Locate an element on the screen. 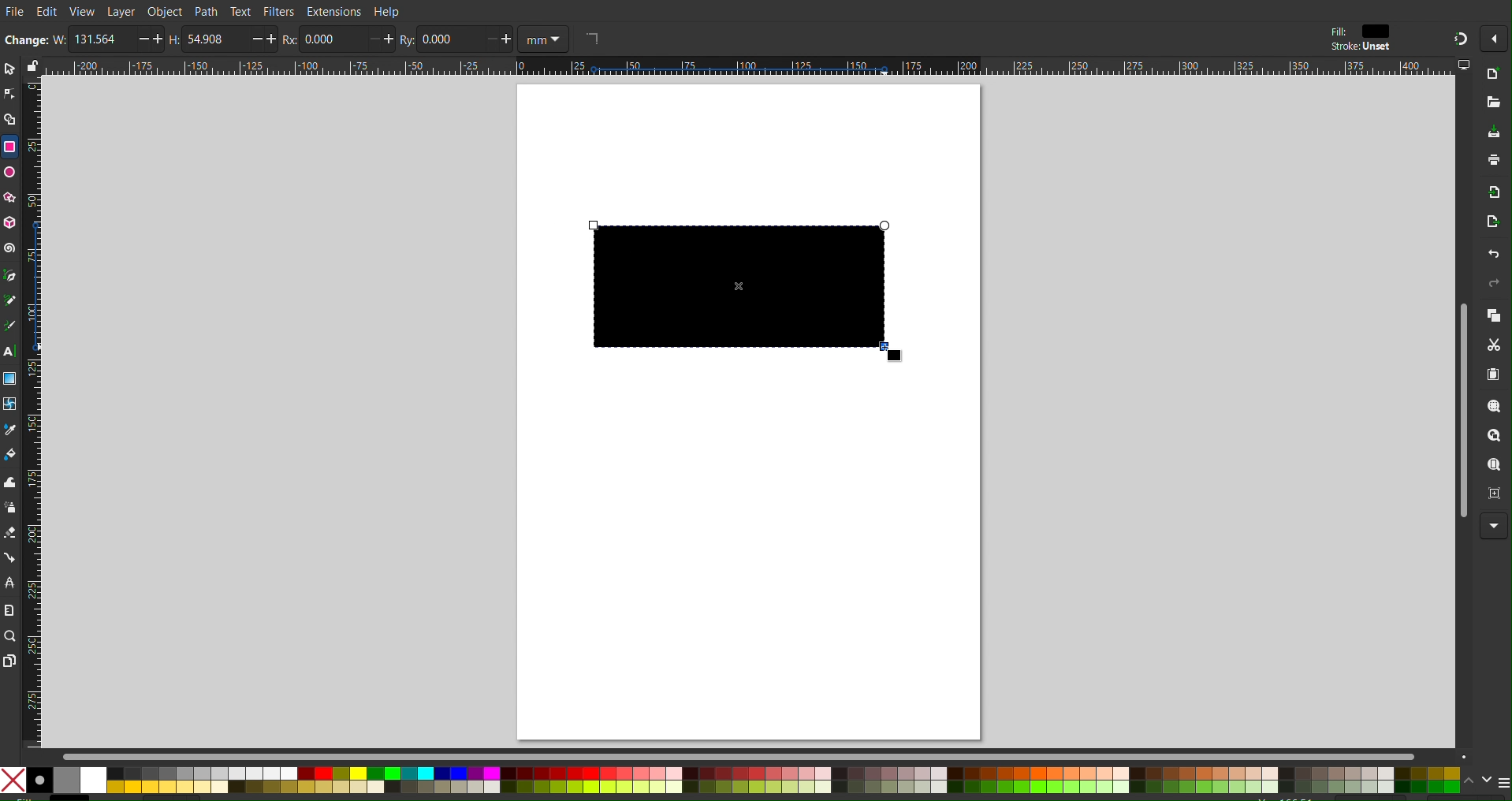  fill: is located at coordinates (1337, 30).